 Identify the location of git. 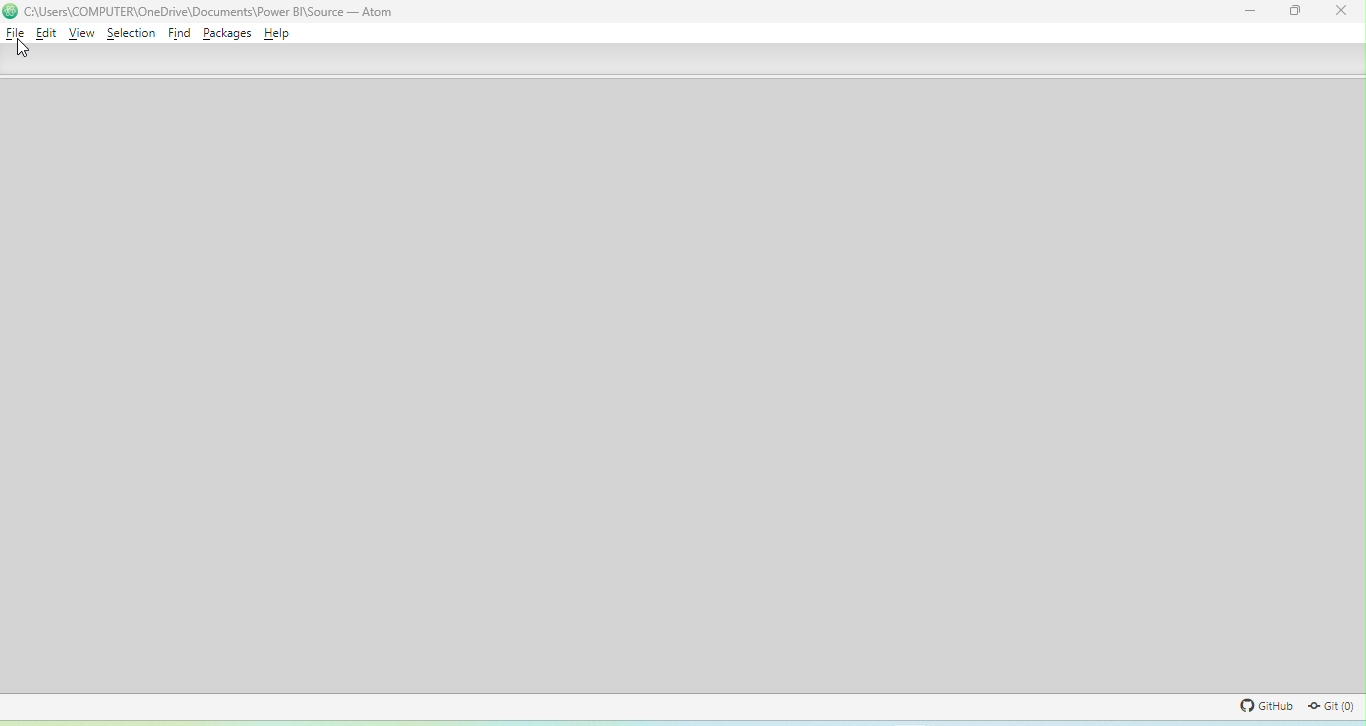
(1331, 706).